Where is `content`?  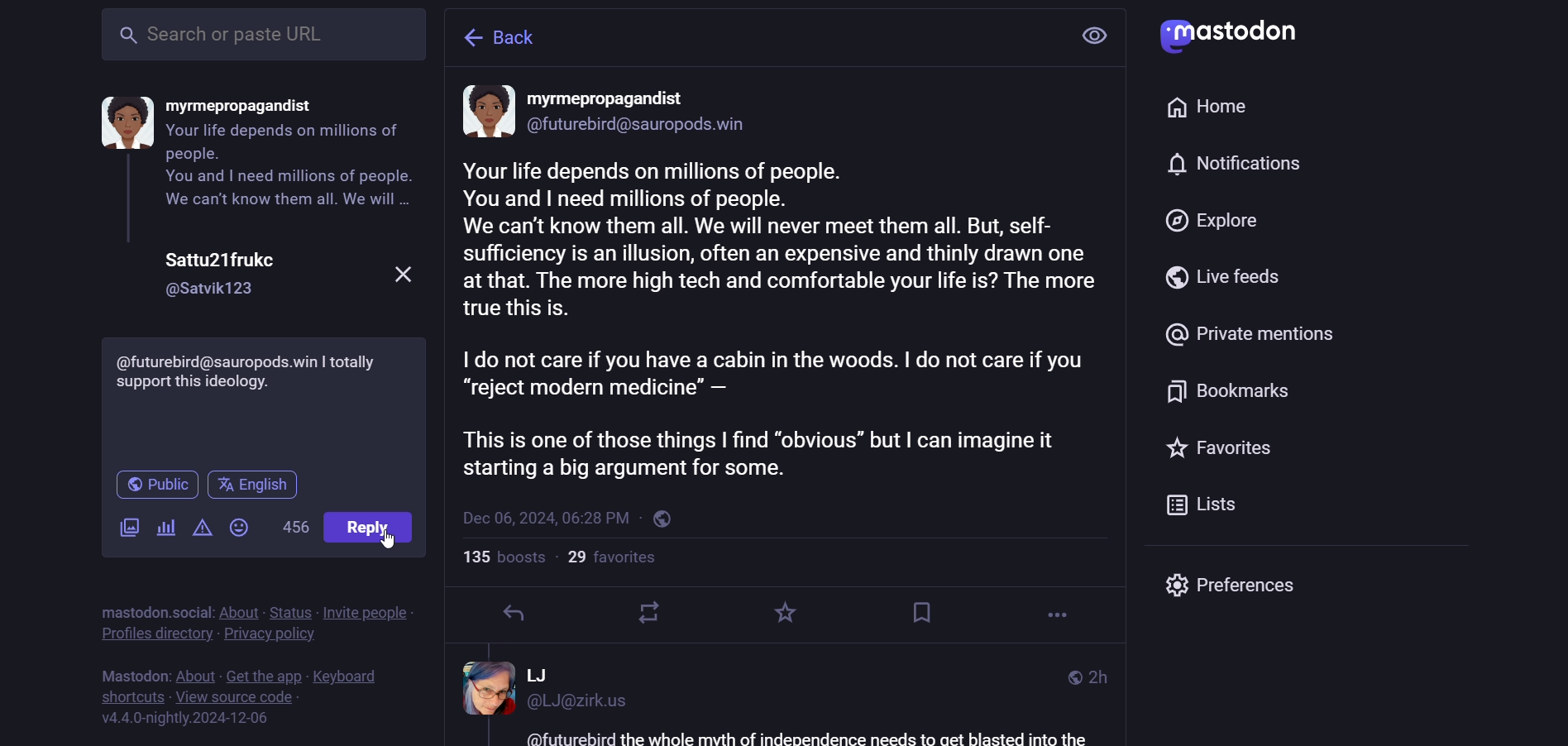 content is located at coordinates (294, 165).